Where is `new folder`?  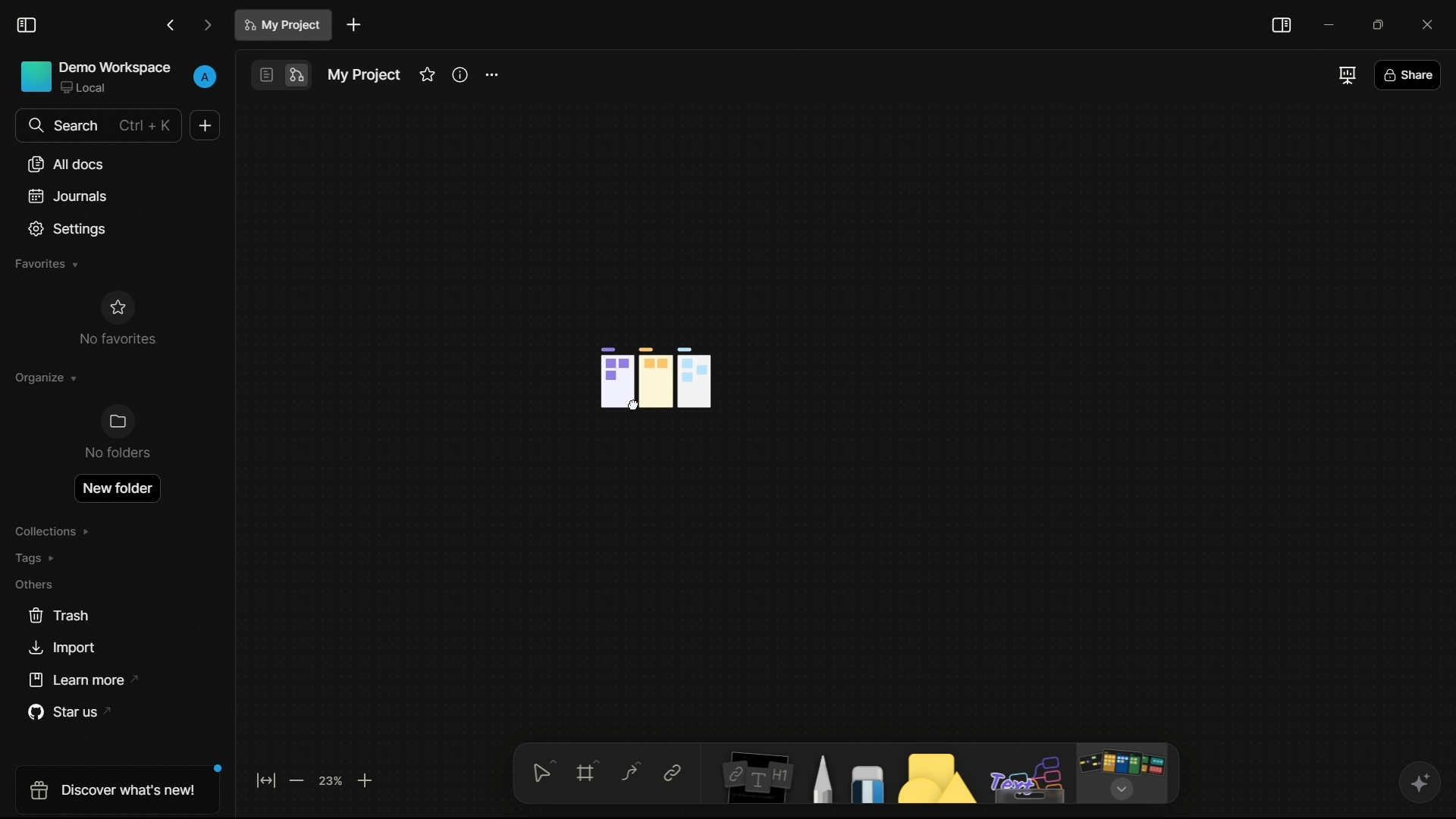 new folder is located at coordinates (116, 488).